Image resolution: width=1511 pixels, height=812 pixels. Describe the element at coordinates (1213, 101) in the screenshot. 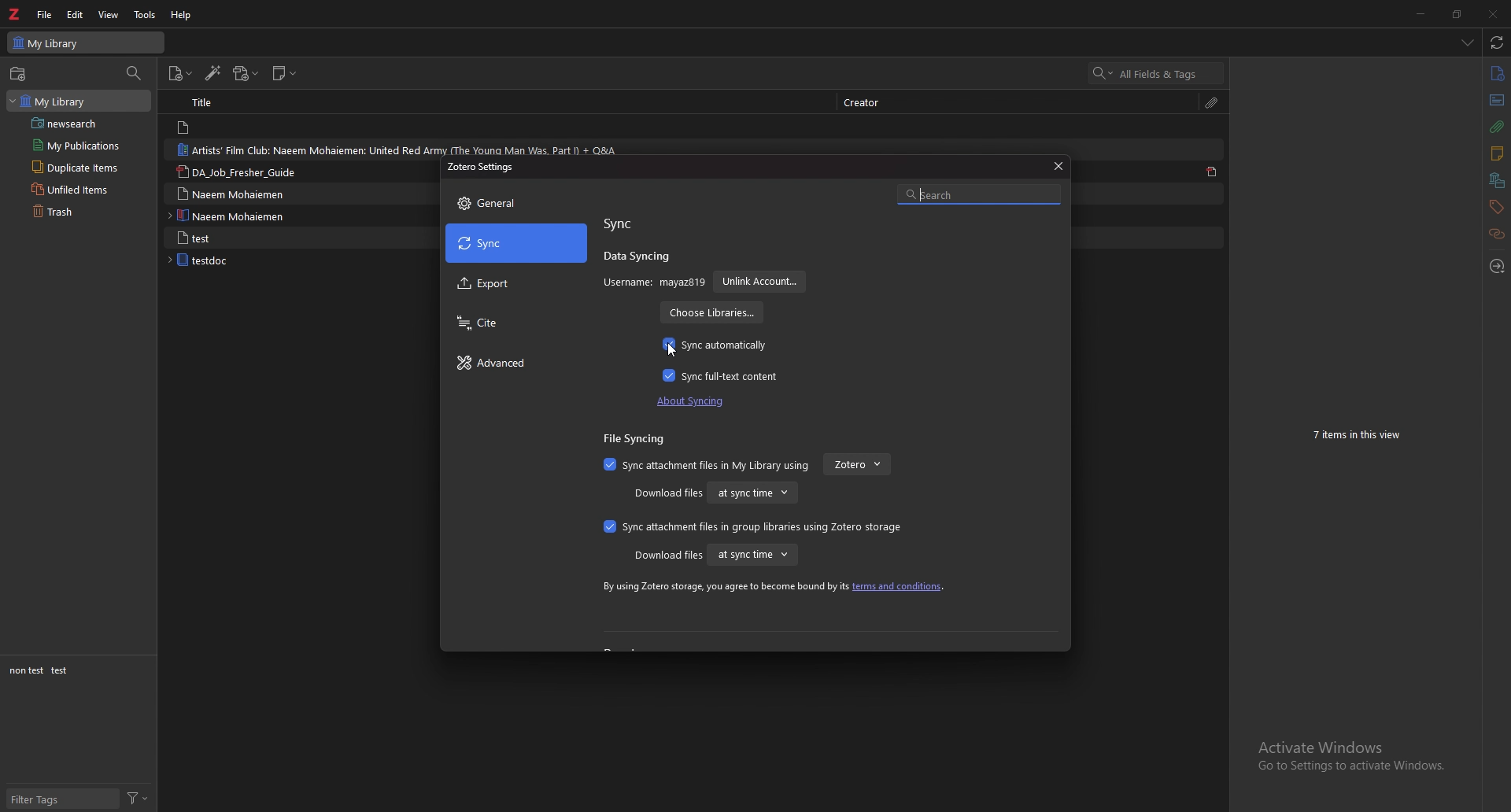

I see `attachment` at that location.